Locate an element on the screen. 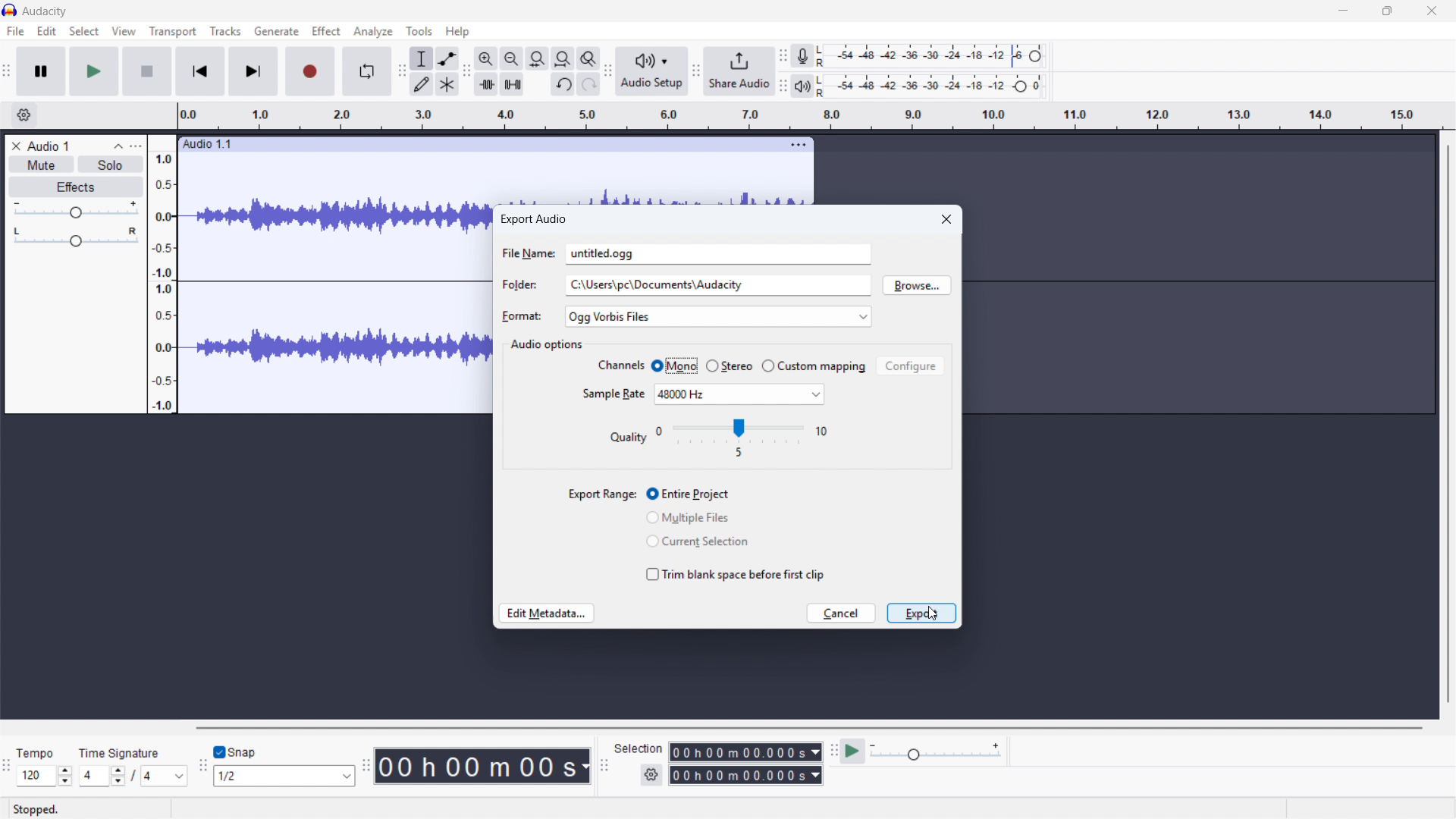 This screenshot has height=819, width=1456. Export  is located at coordinates (921, 613).